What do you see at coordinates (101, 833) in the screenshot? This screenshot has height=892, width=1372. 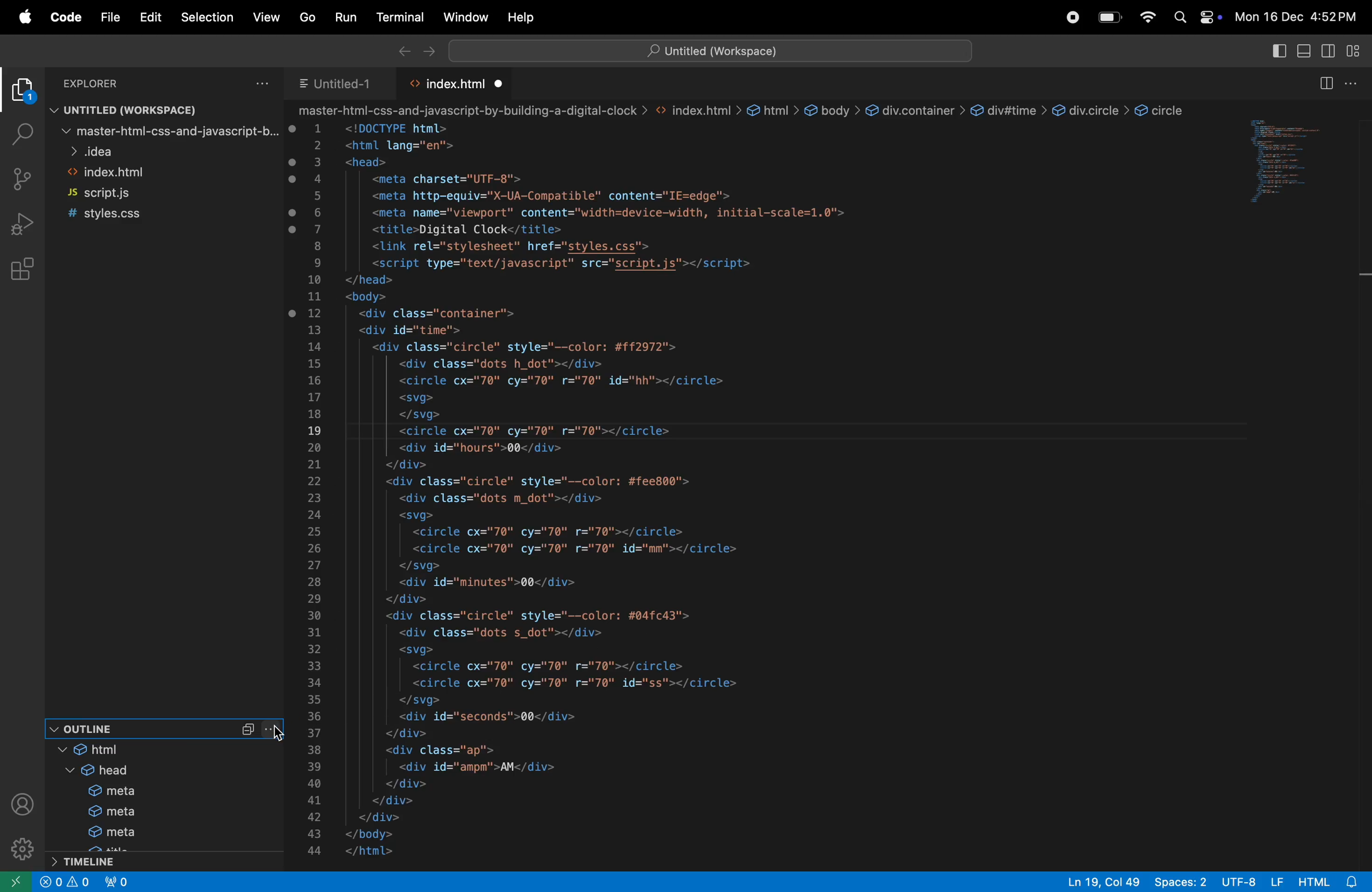 I see `meta` at bounding box center [101, 833].